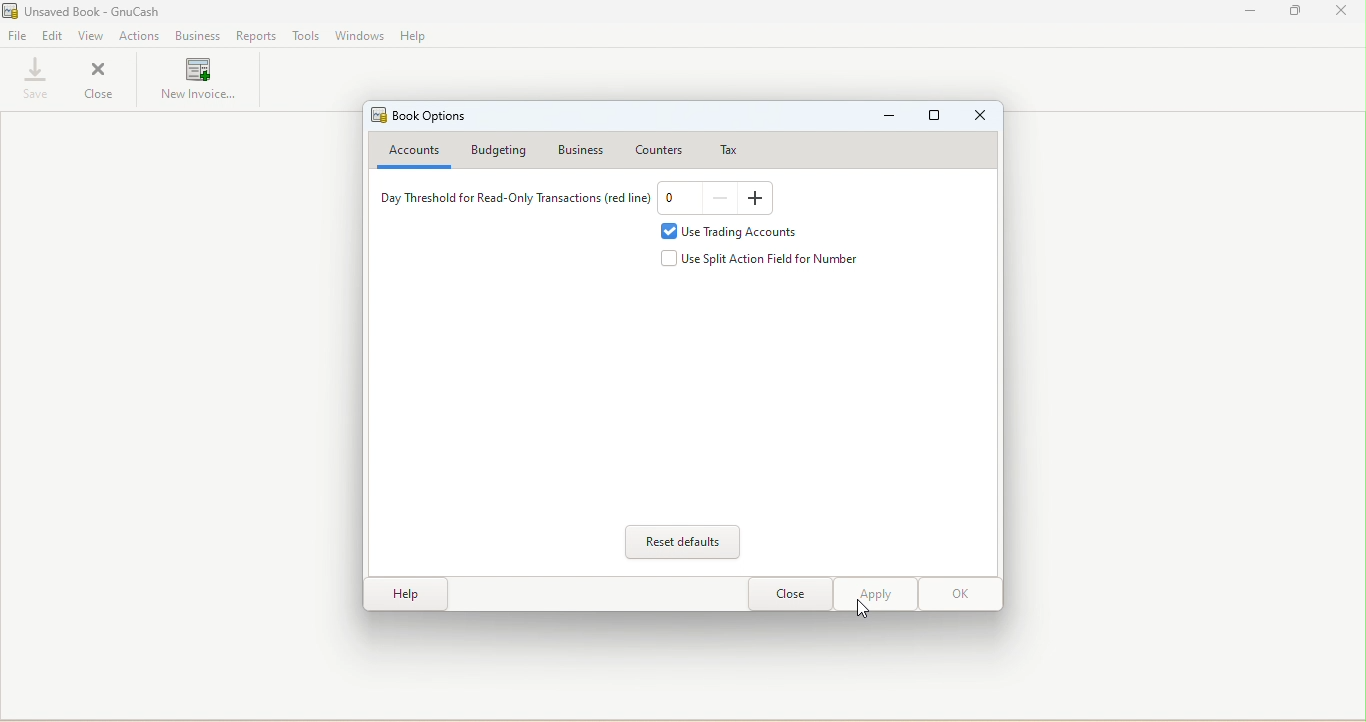 This screenshot has width=1366, height=722. What do you see at coordinates (1341, 12) in the screenshot?
I see `close` at bounding box center [1341, 12].